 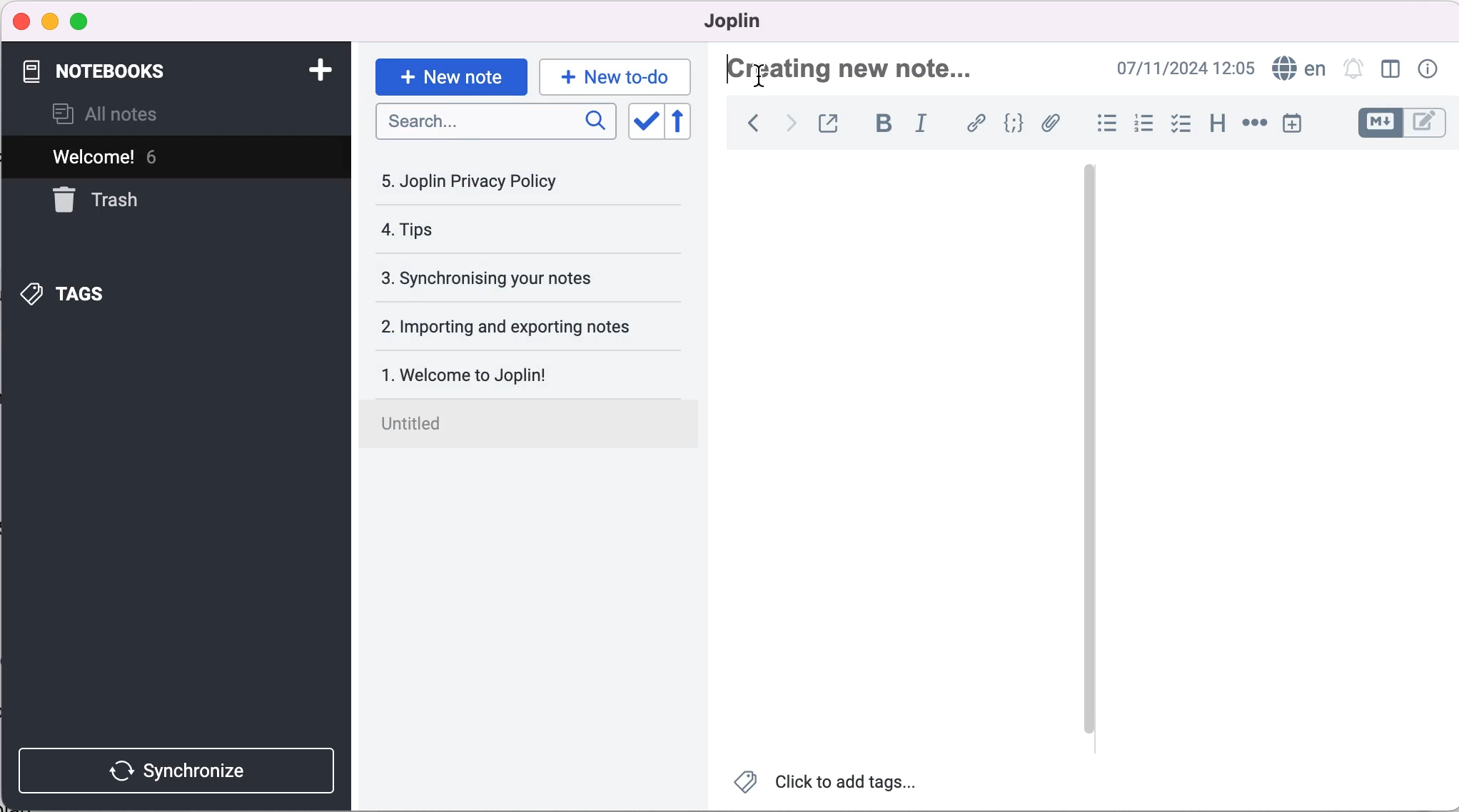 What do you see at coordinates (902, 446) in the screenshot?
I see `black canvas` at bounding box center [902, 446].